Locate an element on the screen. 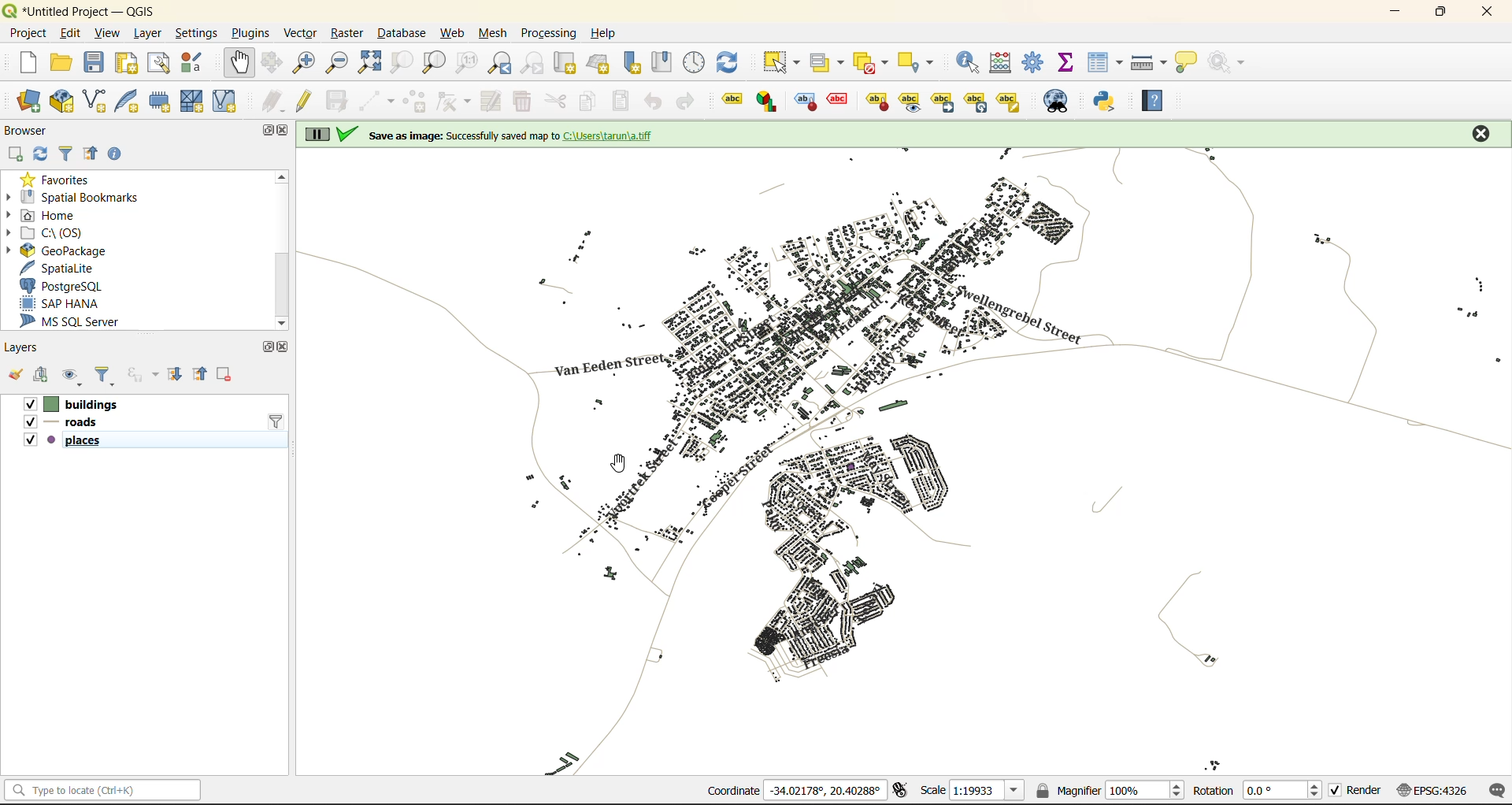 This screenshot has height=805, width=1512. magnifier is located at coordinates (1110, 788).